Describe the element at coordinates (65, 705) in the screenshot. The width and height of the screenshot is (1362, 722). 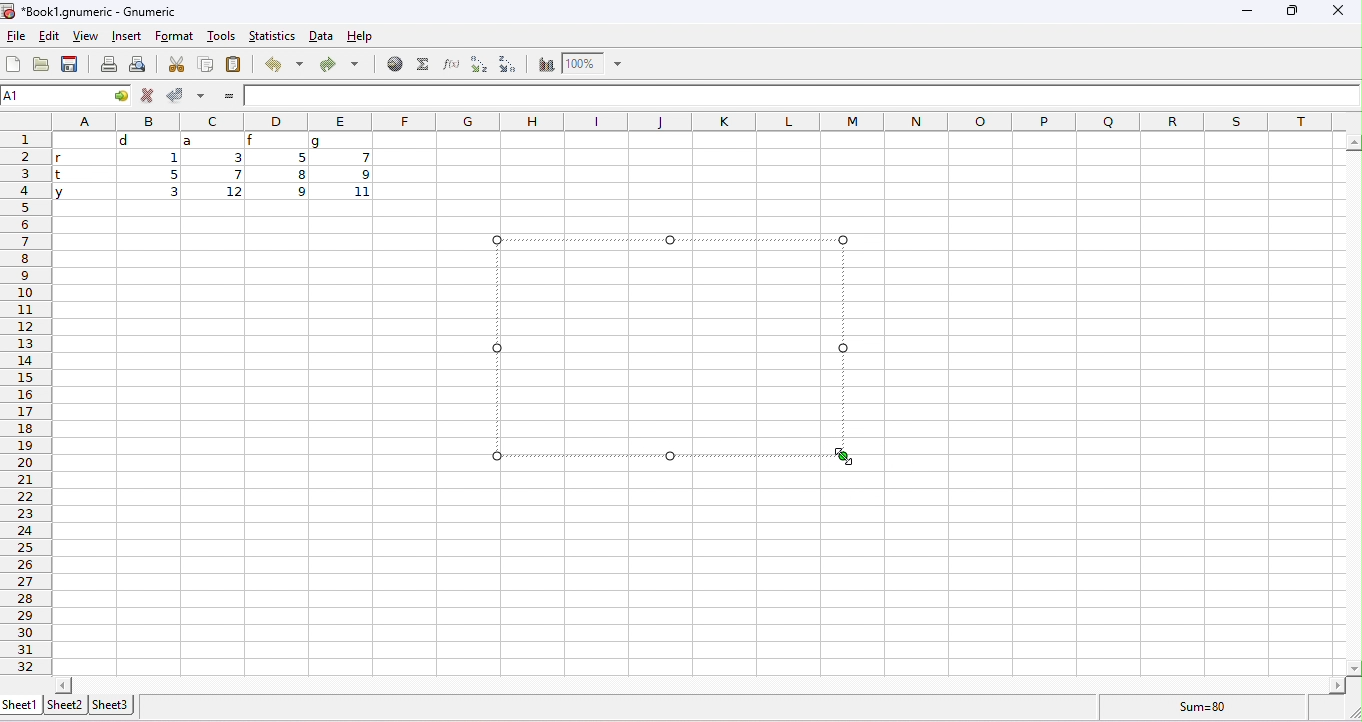
I see `sheet2` at that location.